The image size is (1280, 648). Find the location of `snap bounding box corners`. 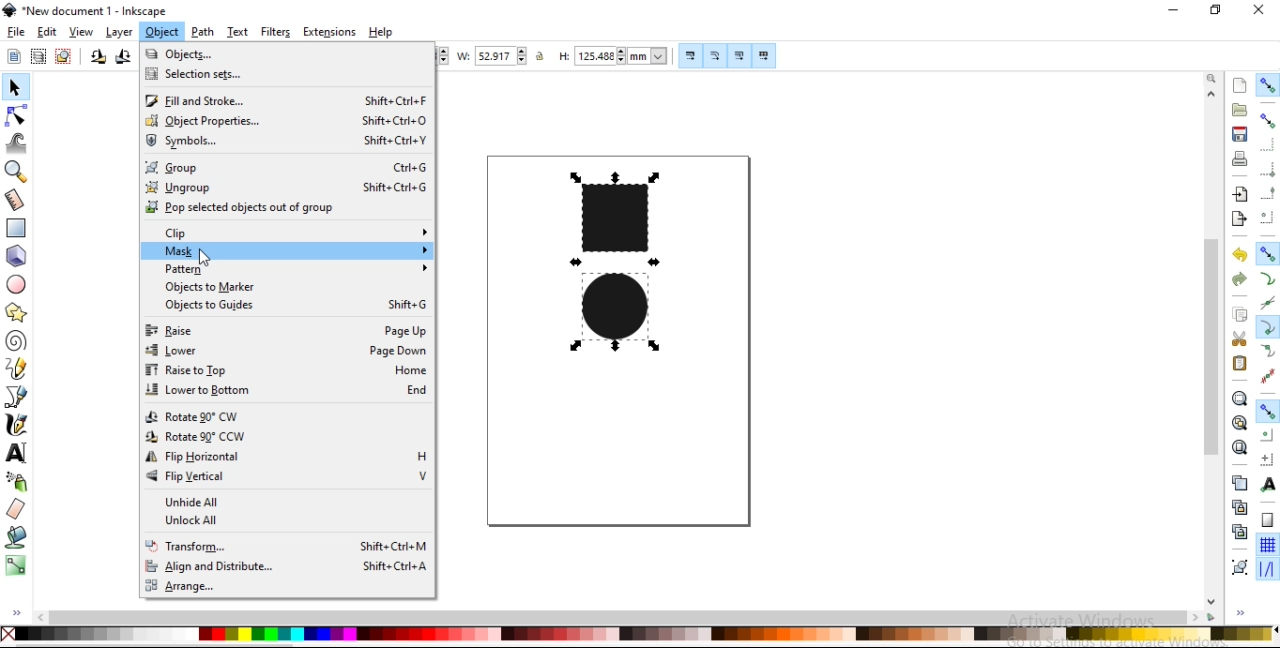

snap bounding box corners is located at coordinates (1267, 170).